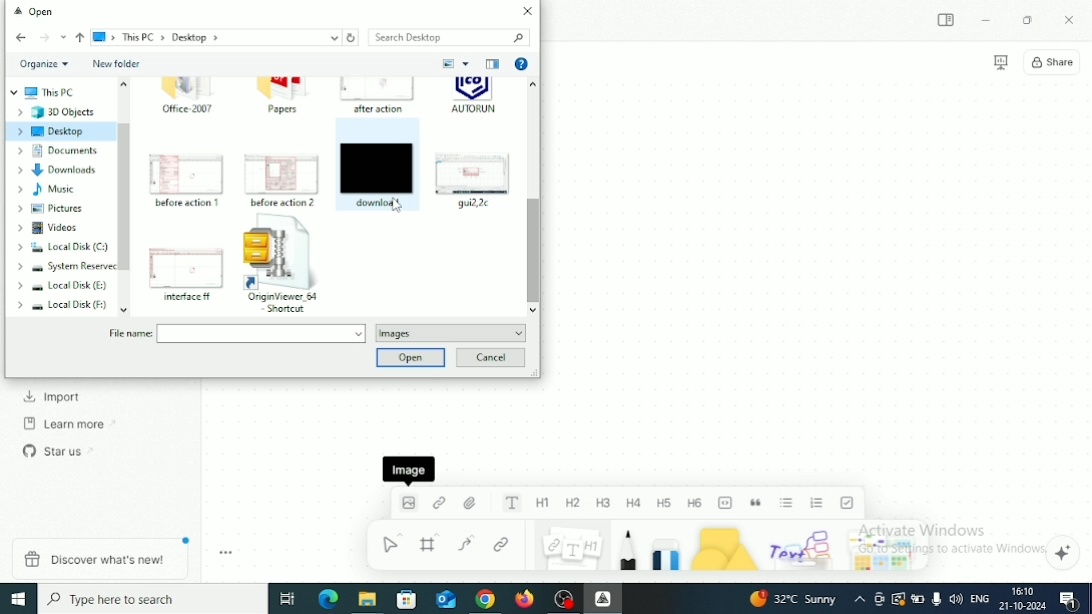 Image resolution: width=1092 pixels, height=614 pixels. I want to click on Vertical scrollbar, so click(126, 197).